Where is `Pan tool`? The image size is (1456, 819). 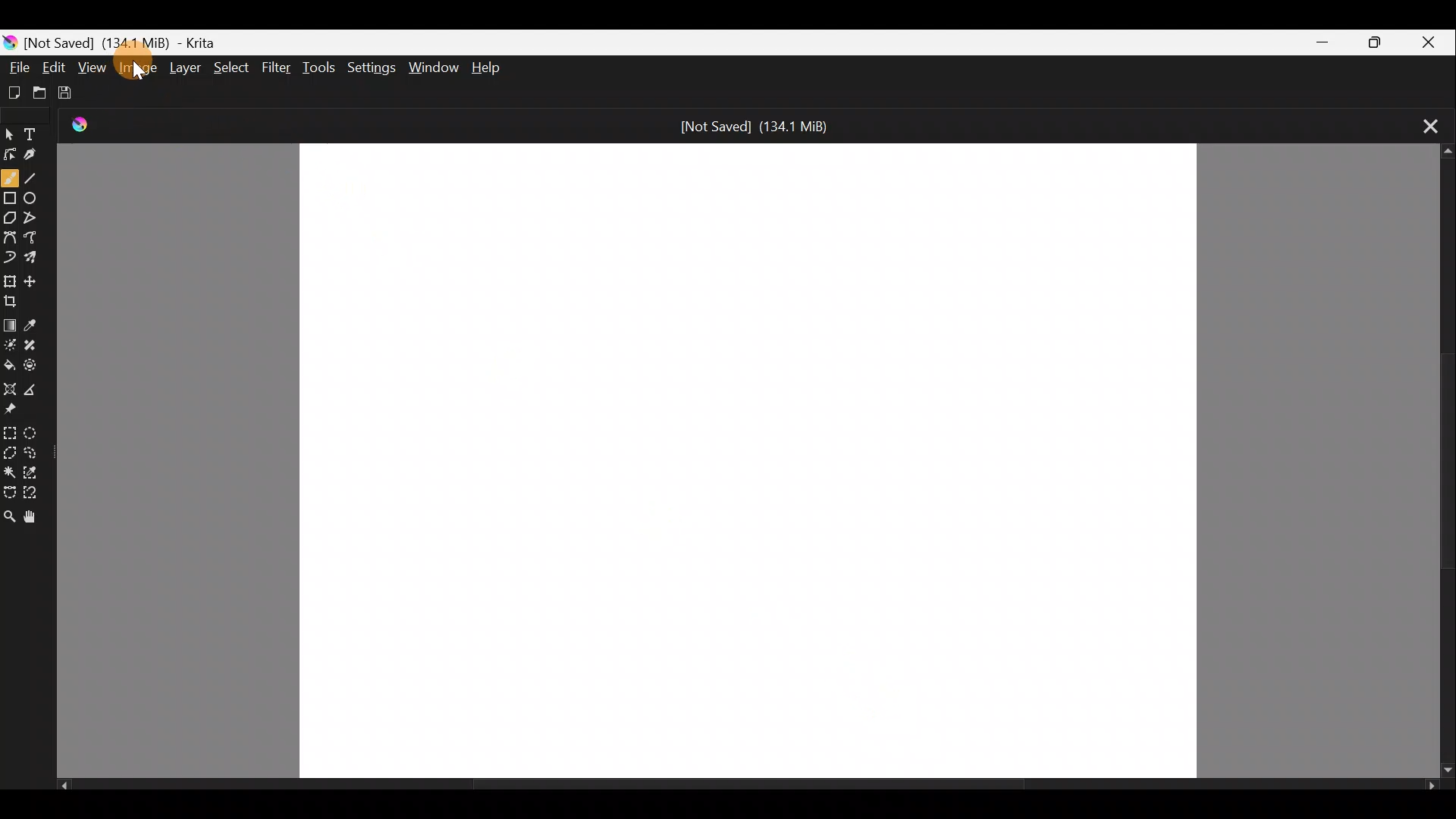 Pan tool is located at coordinates (33, 518).